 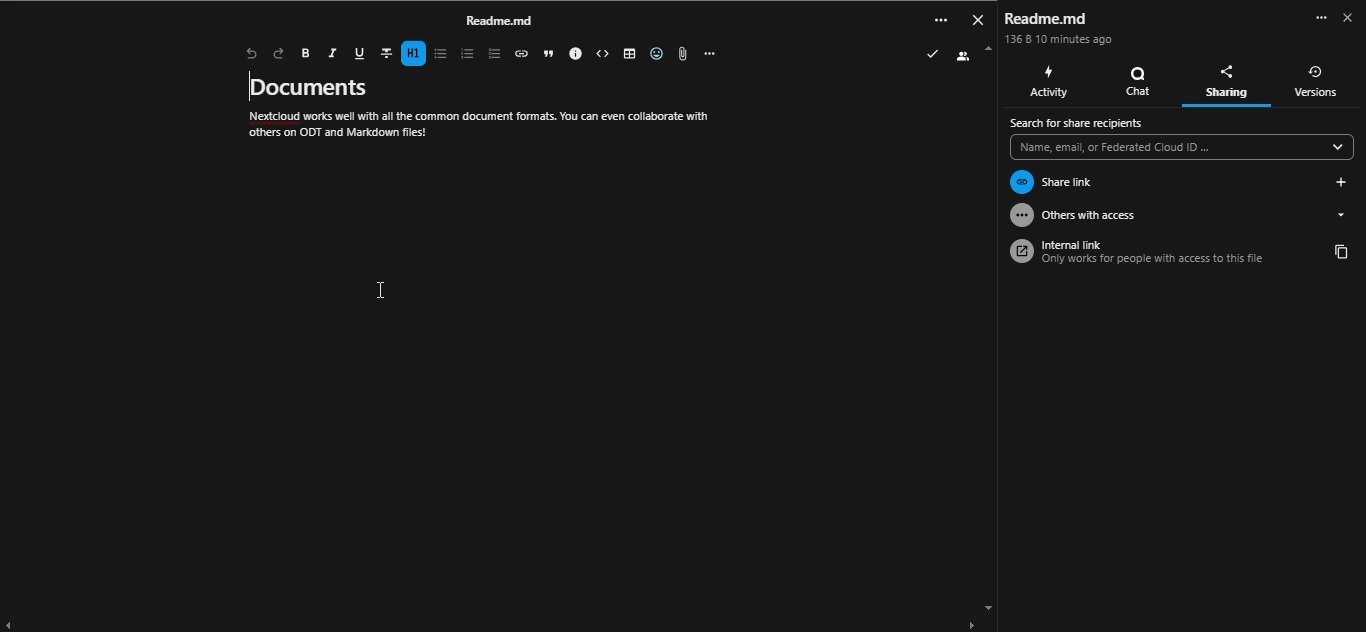 What do you see at coordinates (1338, 147) in the screenshot?
I see `drop down` at bounding box center [1338, 147].